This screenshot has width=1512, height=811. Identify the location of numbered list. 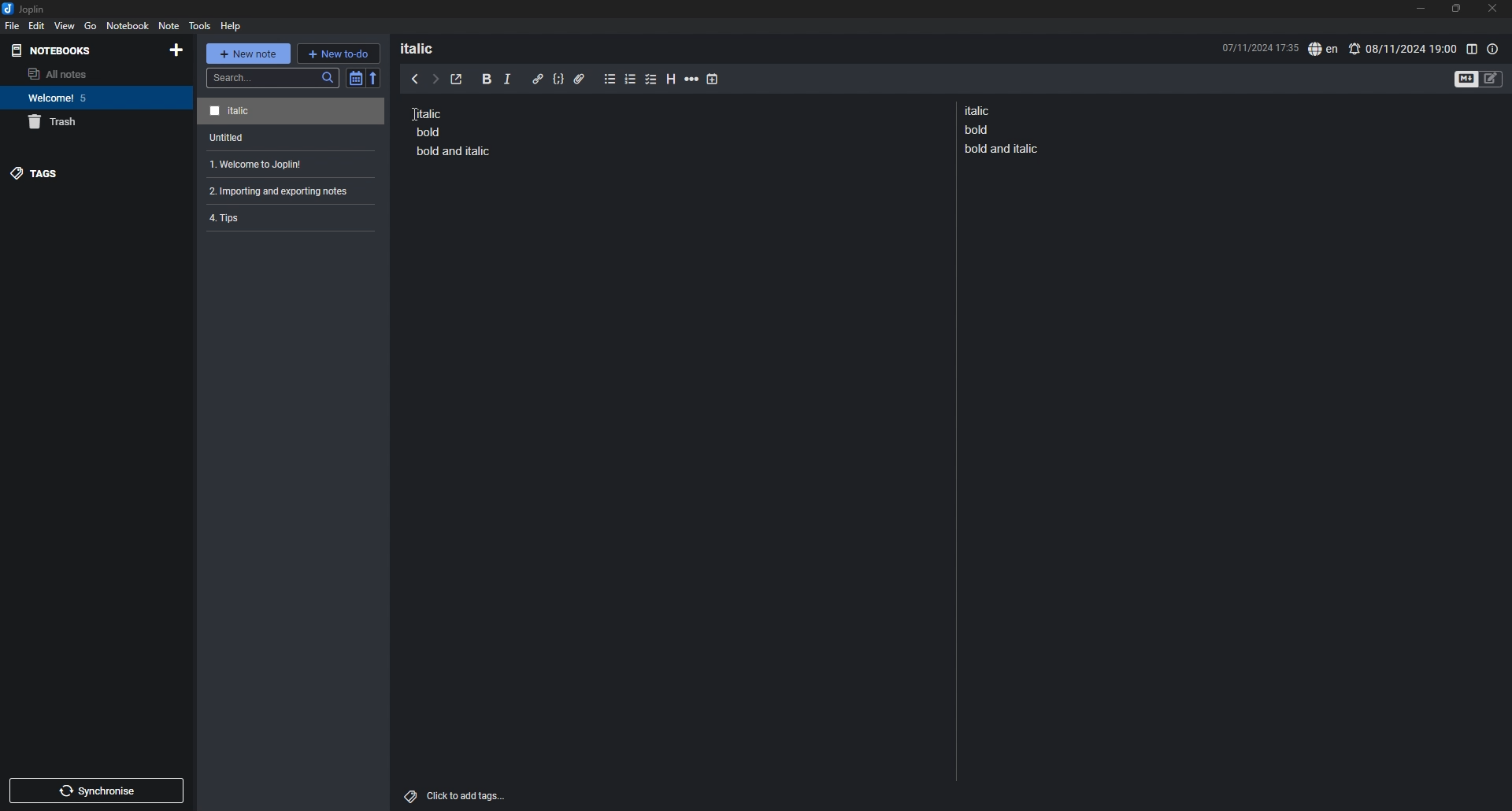
(631, 81).